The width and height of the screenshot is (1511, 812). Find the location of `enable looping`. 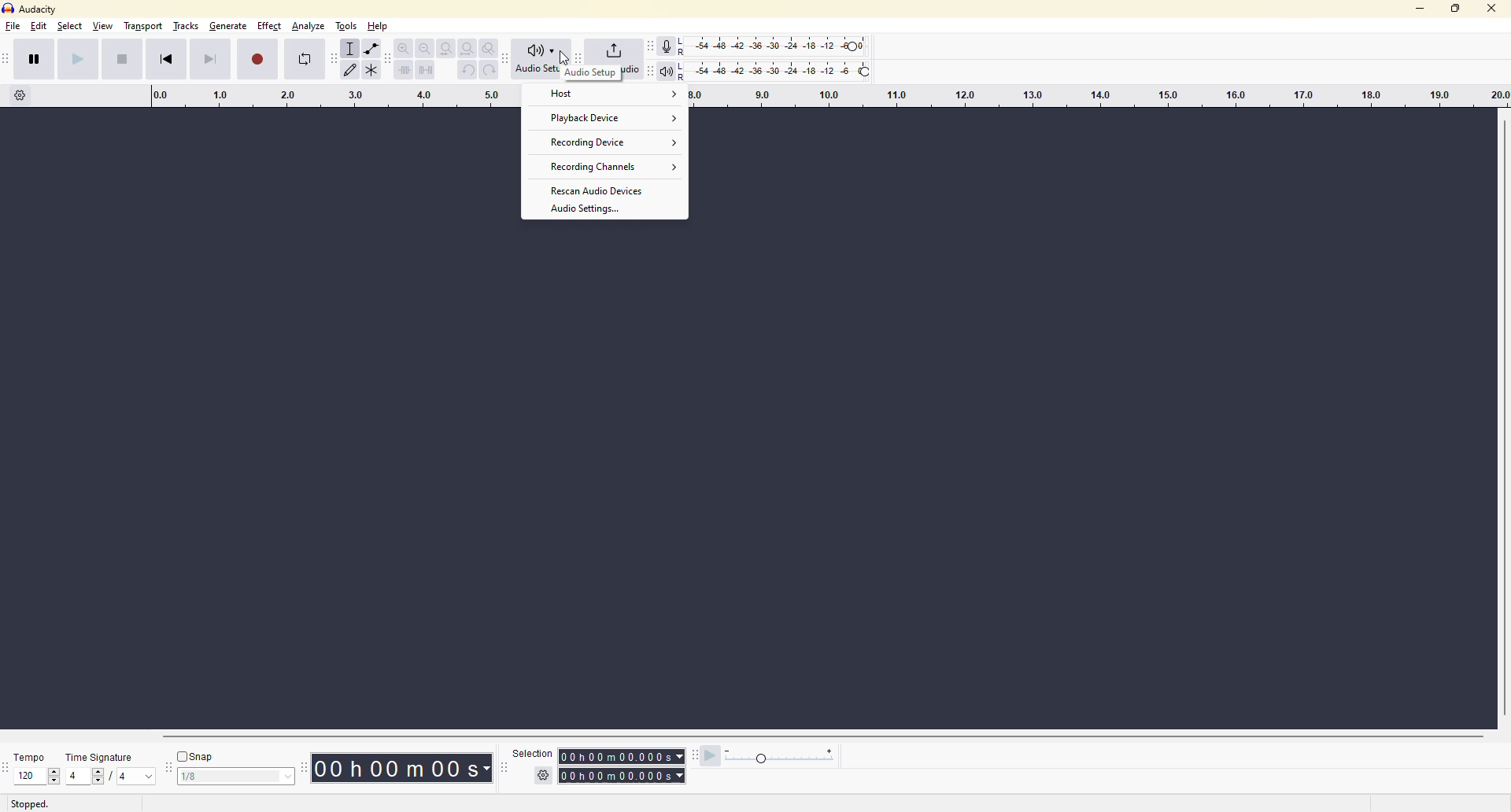

enable looping is located at coordinates (302, 60).